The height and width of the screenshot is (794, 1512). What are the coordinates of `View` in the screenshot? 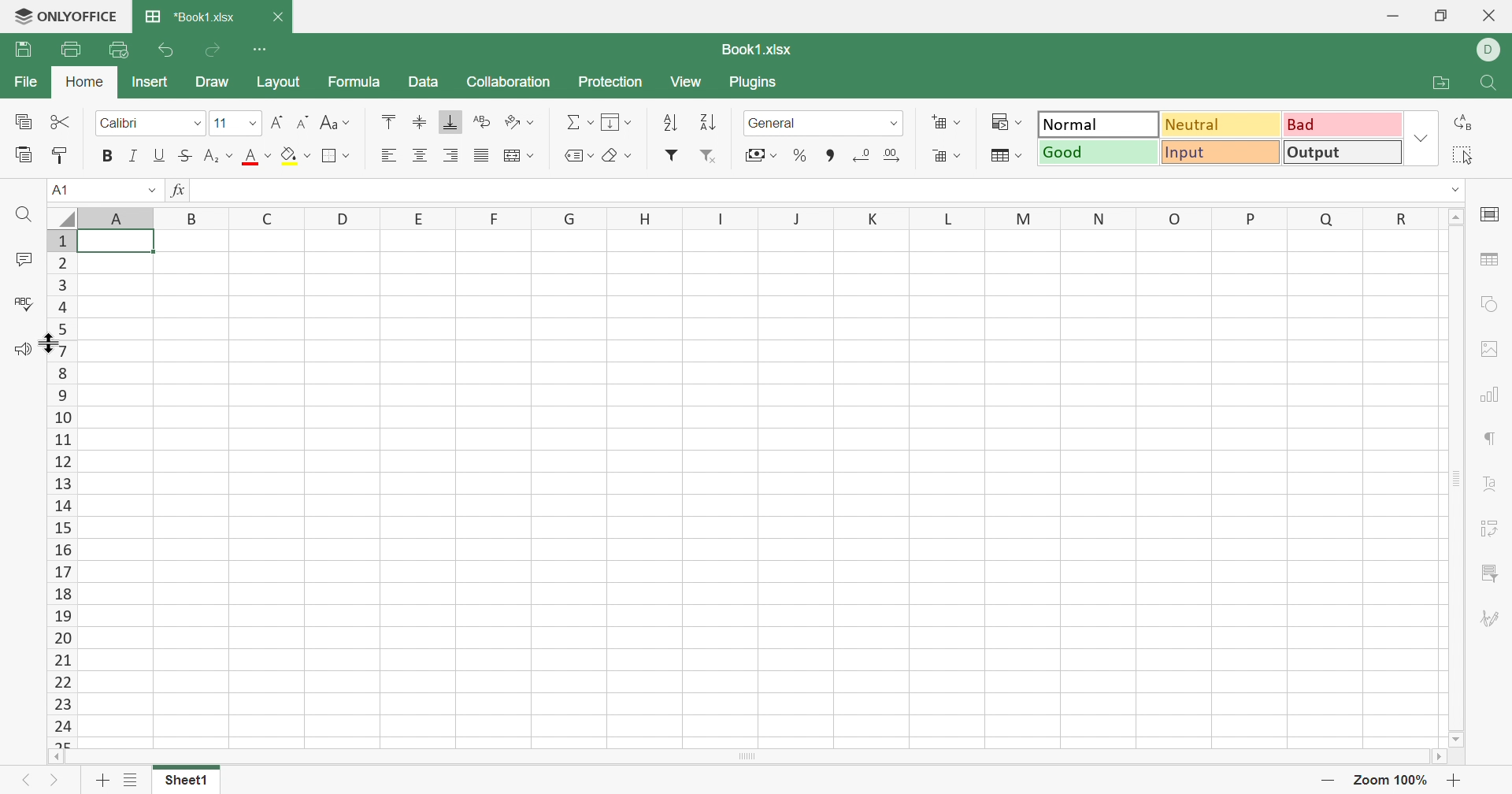 It's located at (687, 78).